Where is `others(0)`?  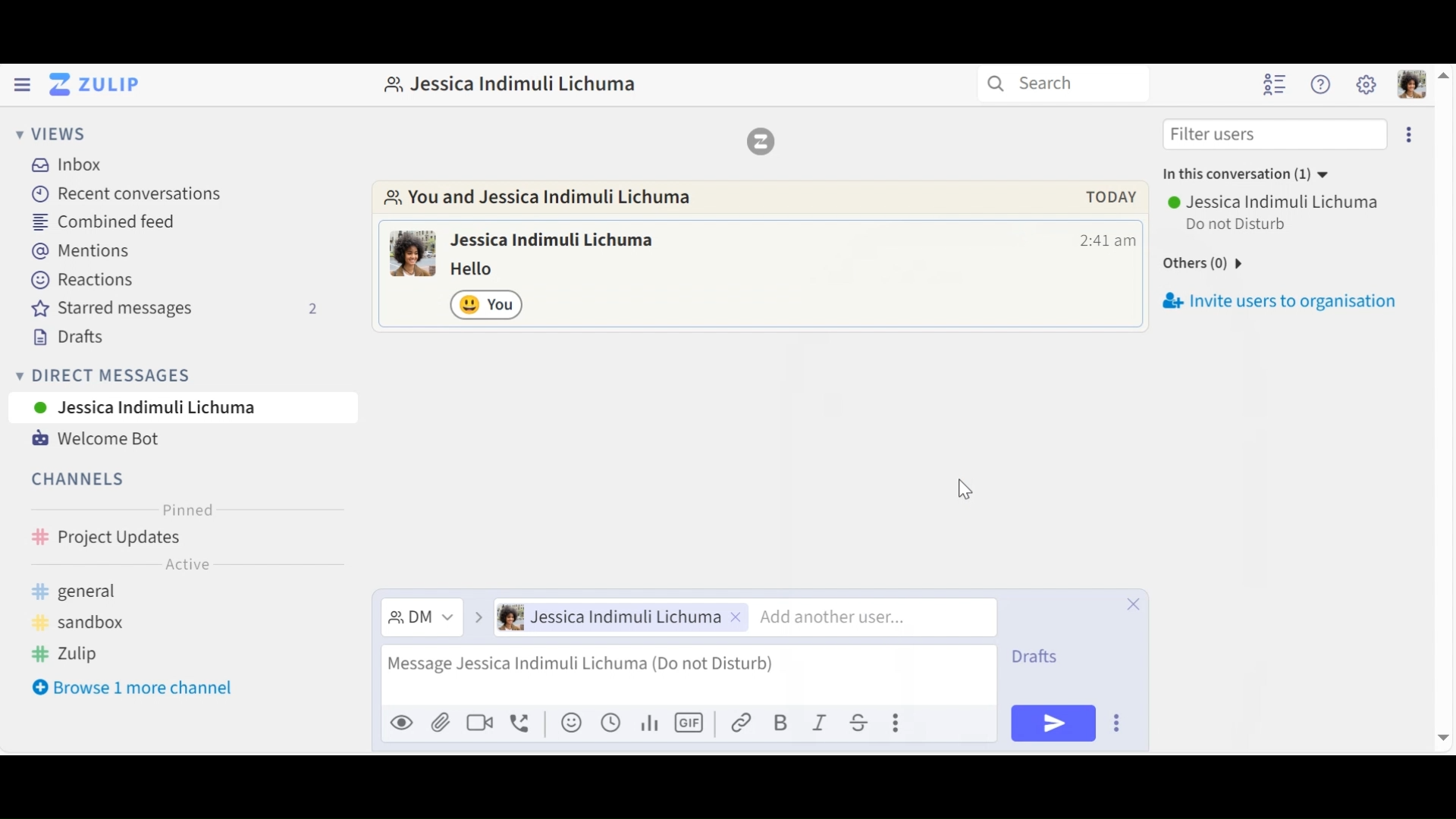
others(0) is located at coordinates (1200, 265).